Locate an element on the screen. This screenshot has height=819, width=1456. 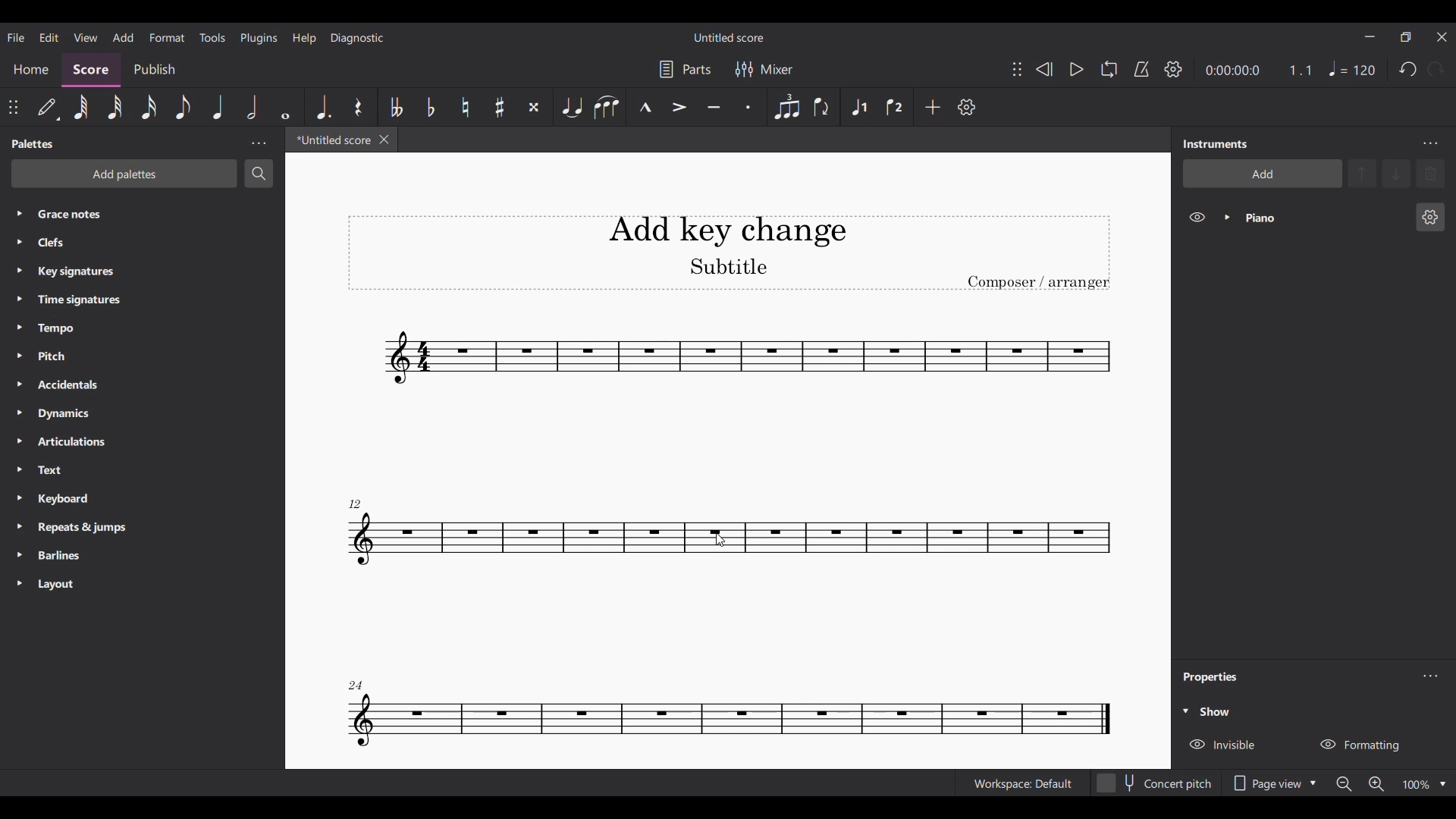
Toggle flat is located at coordinates (431, 107).